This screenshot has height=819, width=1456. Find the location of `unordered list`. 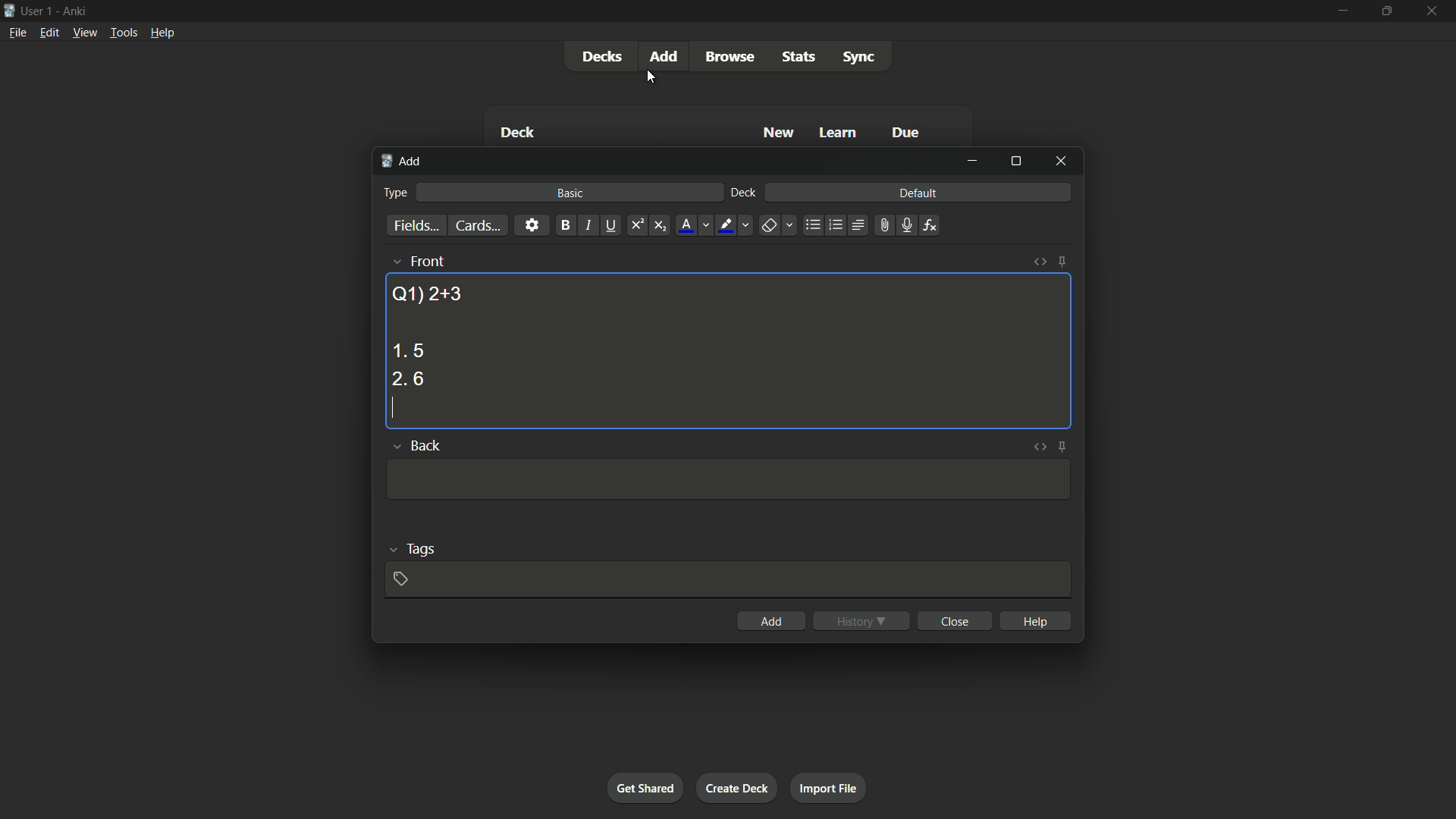

unordered list is located at coordinates (812, 225).